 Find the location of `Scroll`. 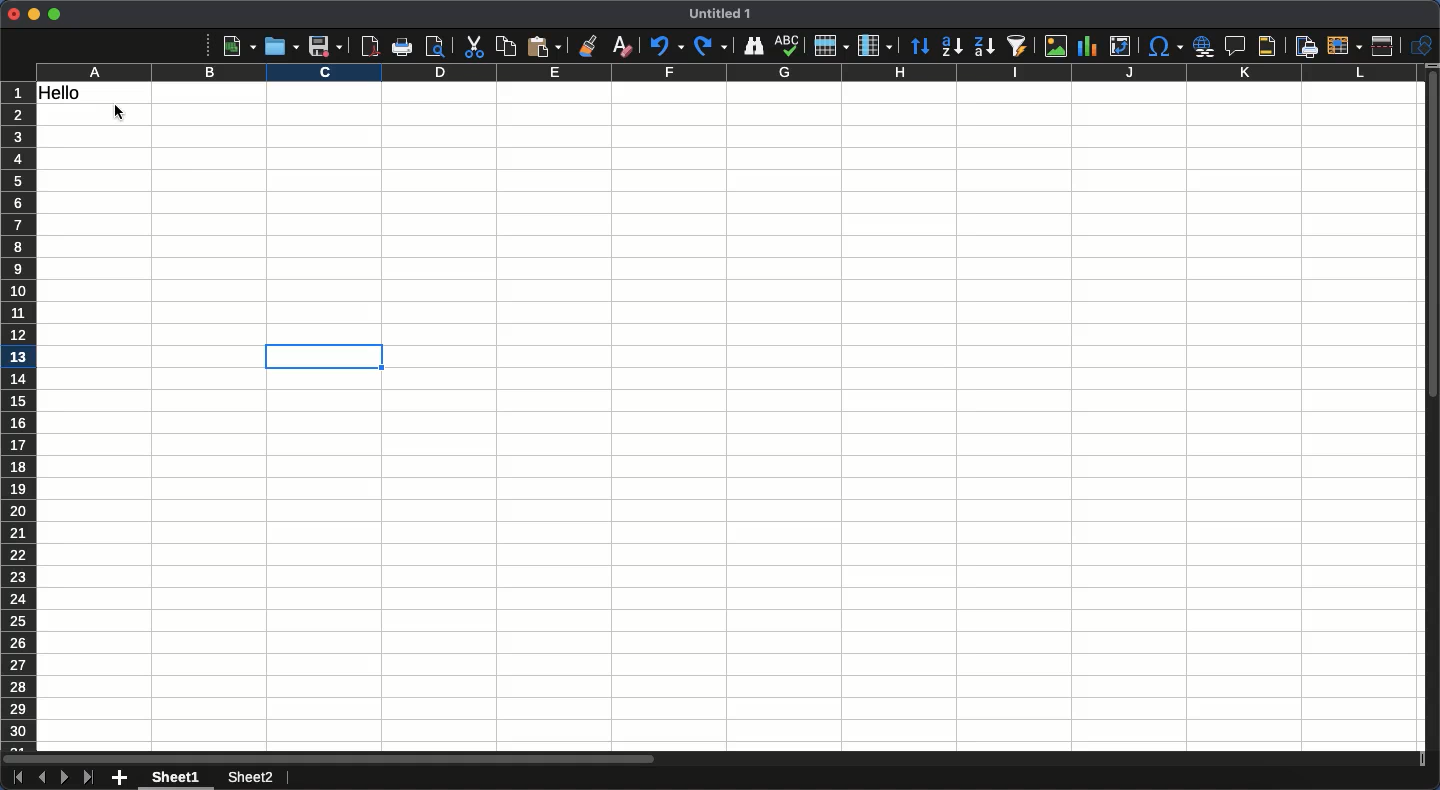

Scroll is located at coordinates (1431, 418).